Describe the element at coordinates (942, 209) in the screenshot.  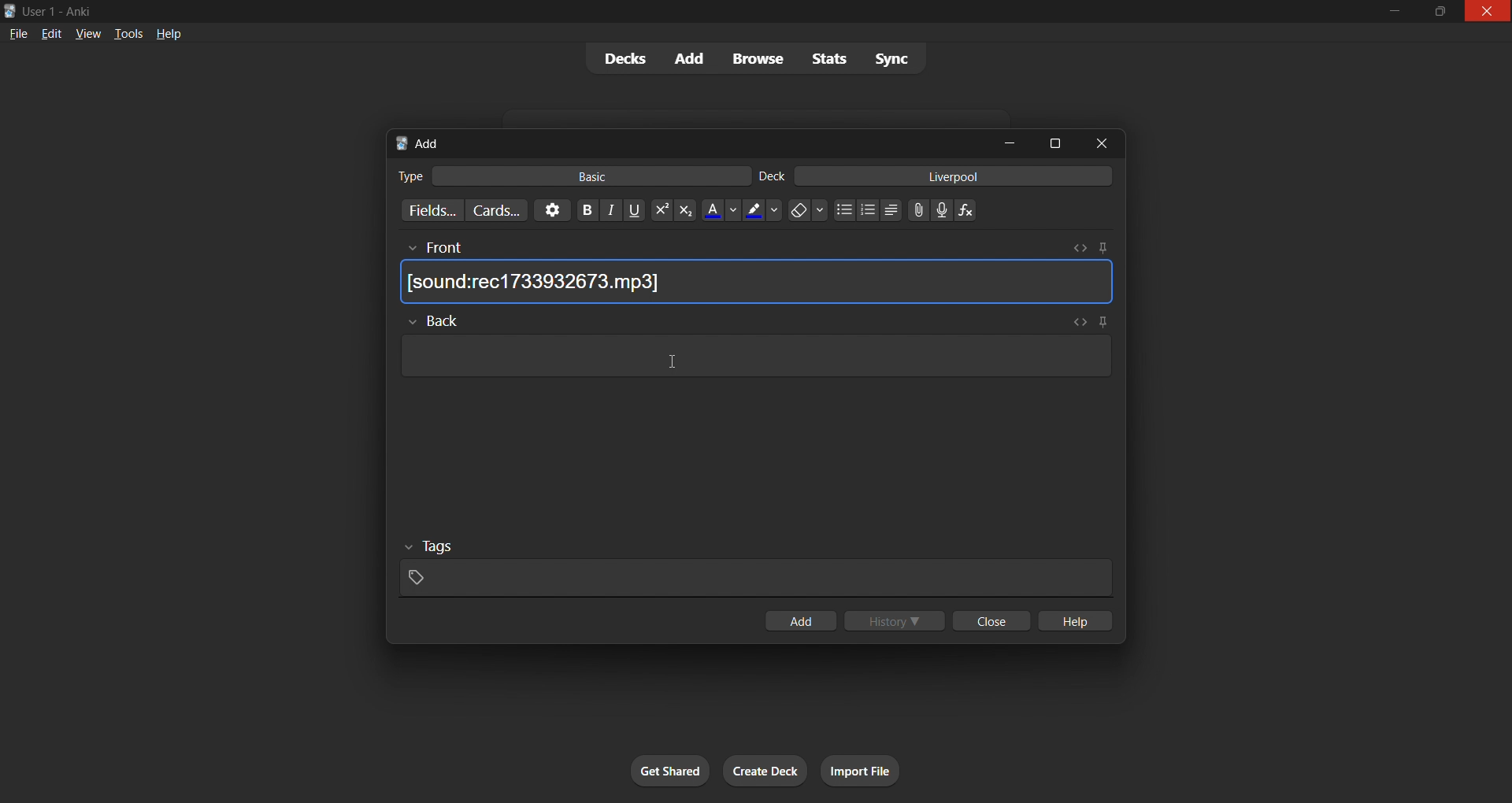
I see `add audio` at that location.